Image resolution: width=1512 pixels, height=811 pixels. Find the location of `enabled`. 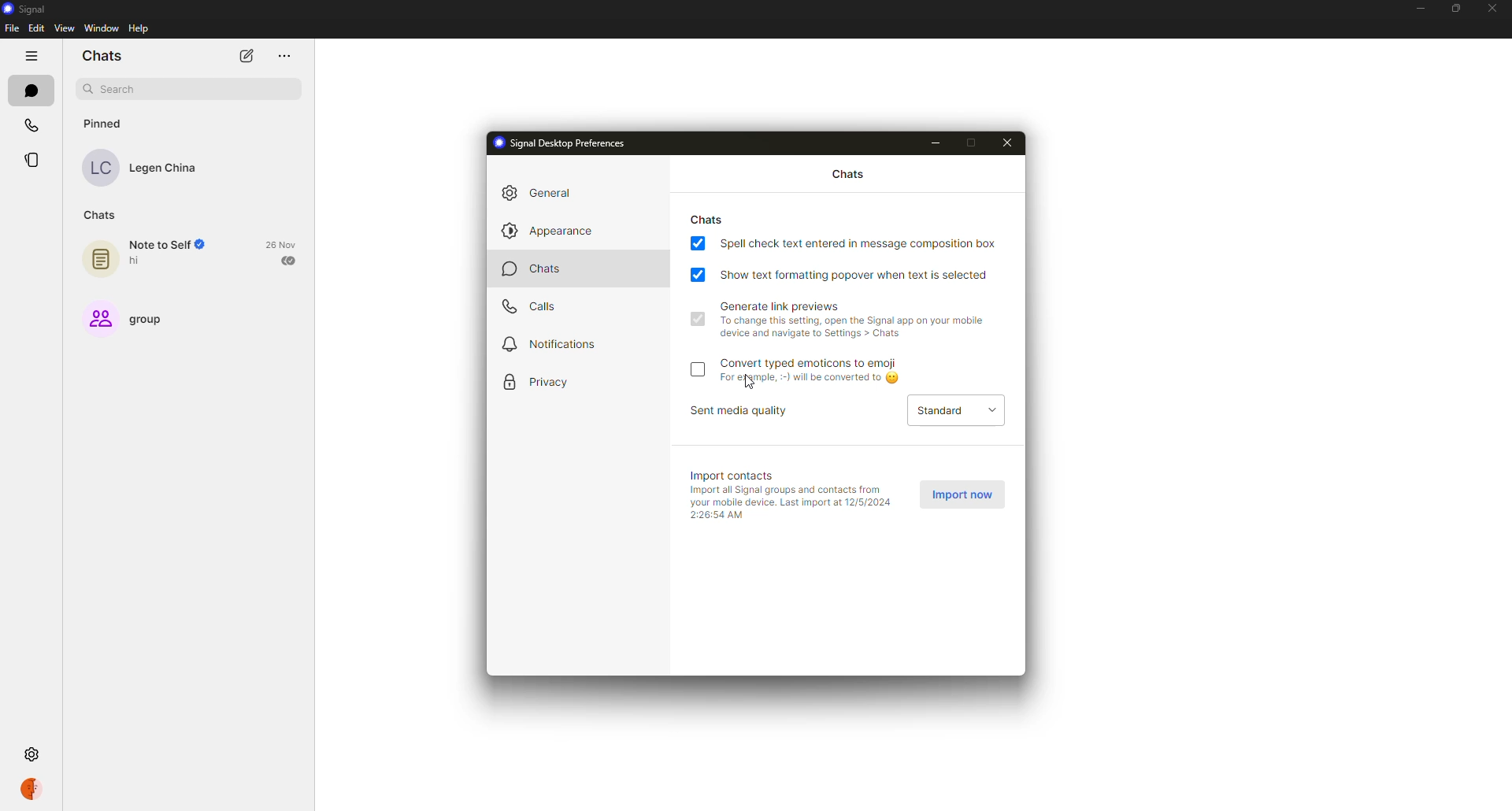

enabled is located at coordinates (697, 318).